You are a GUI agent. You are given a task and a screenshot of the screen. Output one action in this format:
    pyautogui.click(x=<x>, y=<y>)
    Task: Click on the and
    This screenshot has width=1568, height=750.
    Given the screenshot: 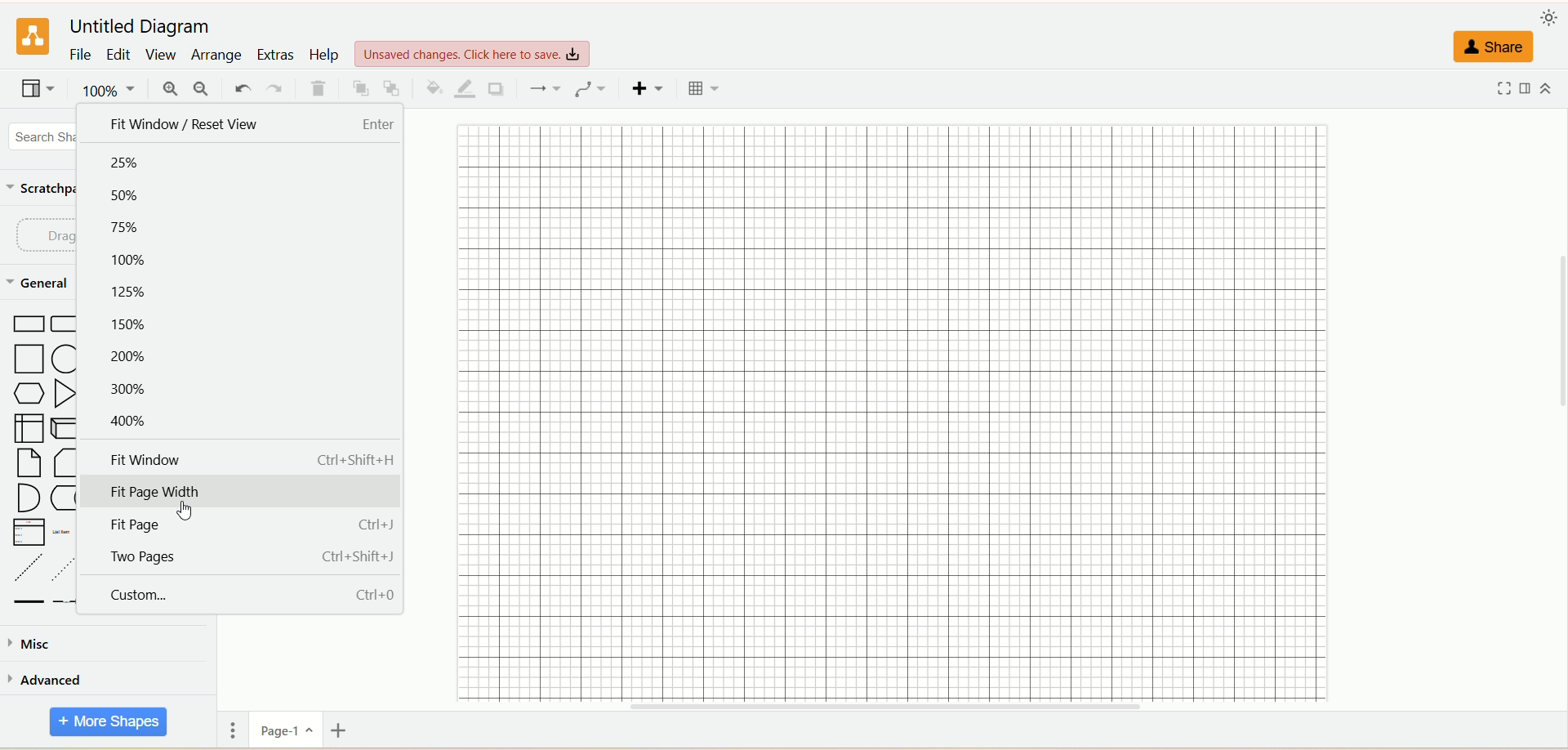 What is the action you would take?
    pyautogui.click(x=29, y=497)
    